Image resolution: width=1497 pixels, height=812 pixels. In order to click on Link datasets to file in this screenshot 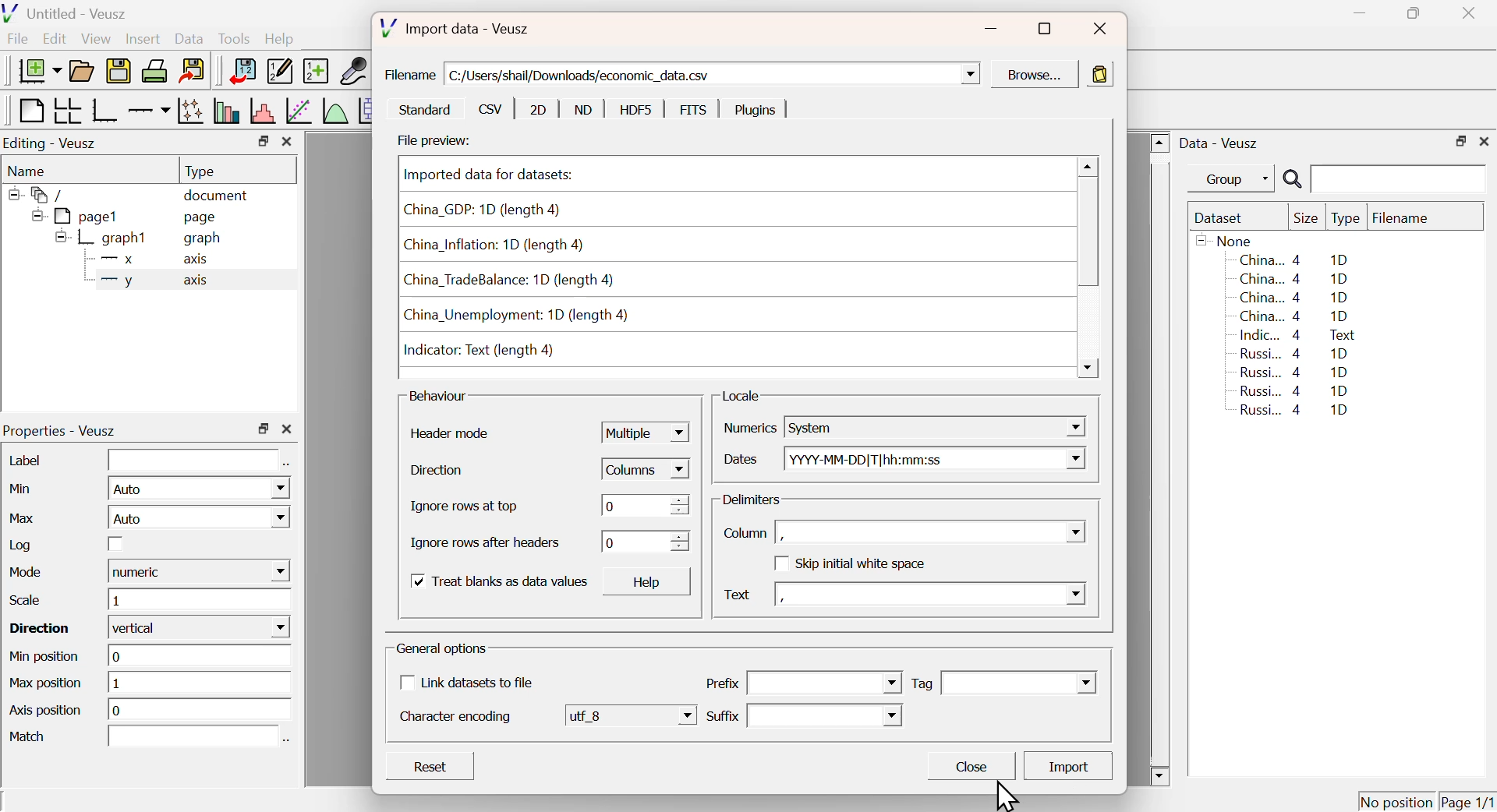, I will do `click(477, 684)`.